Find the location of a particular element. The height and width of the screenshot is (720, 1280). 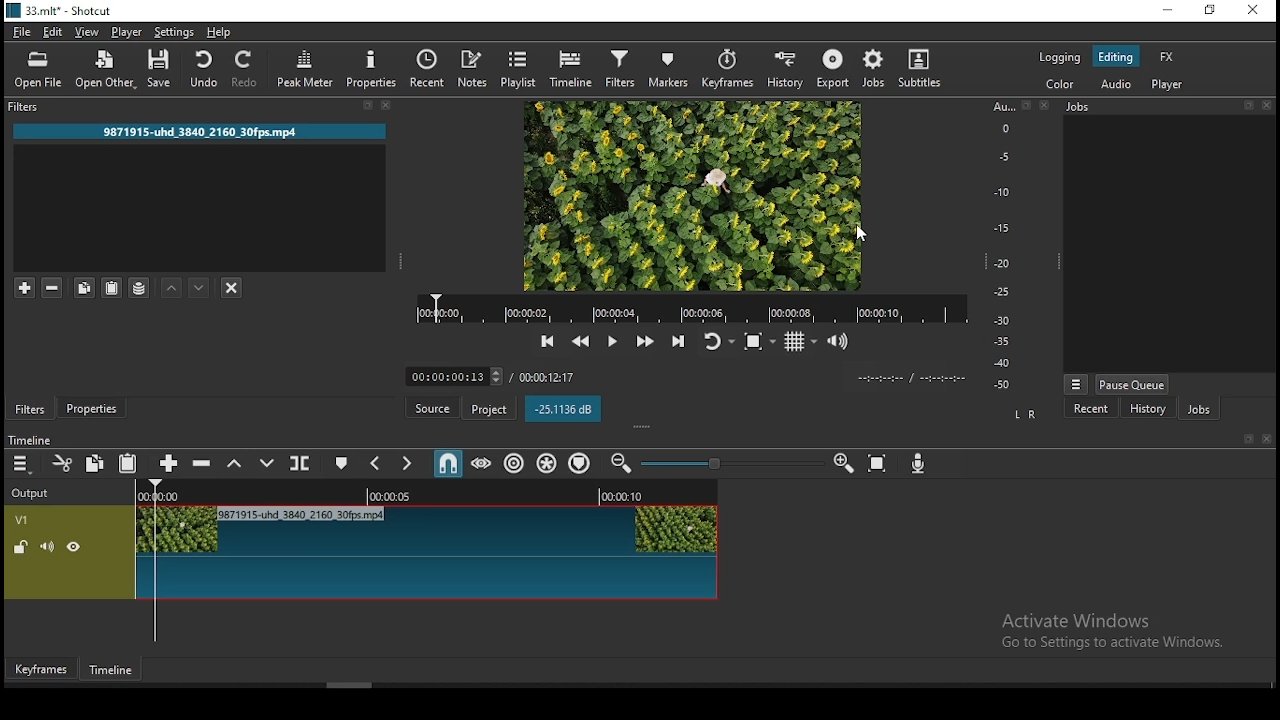

add a filter is located at coordinates (26, 288).